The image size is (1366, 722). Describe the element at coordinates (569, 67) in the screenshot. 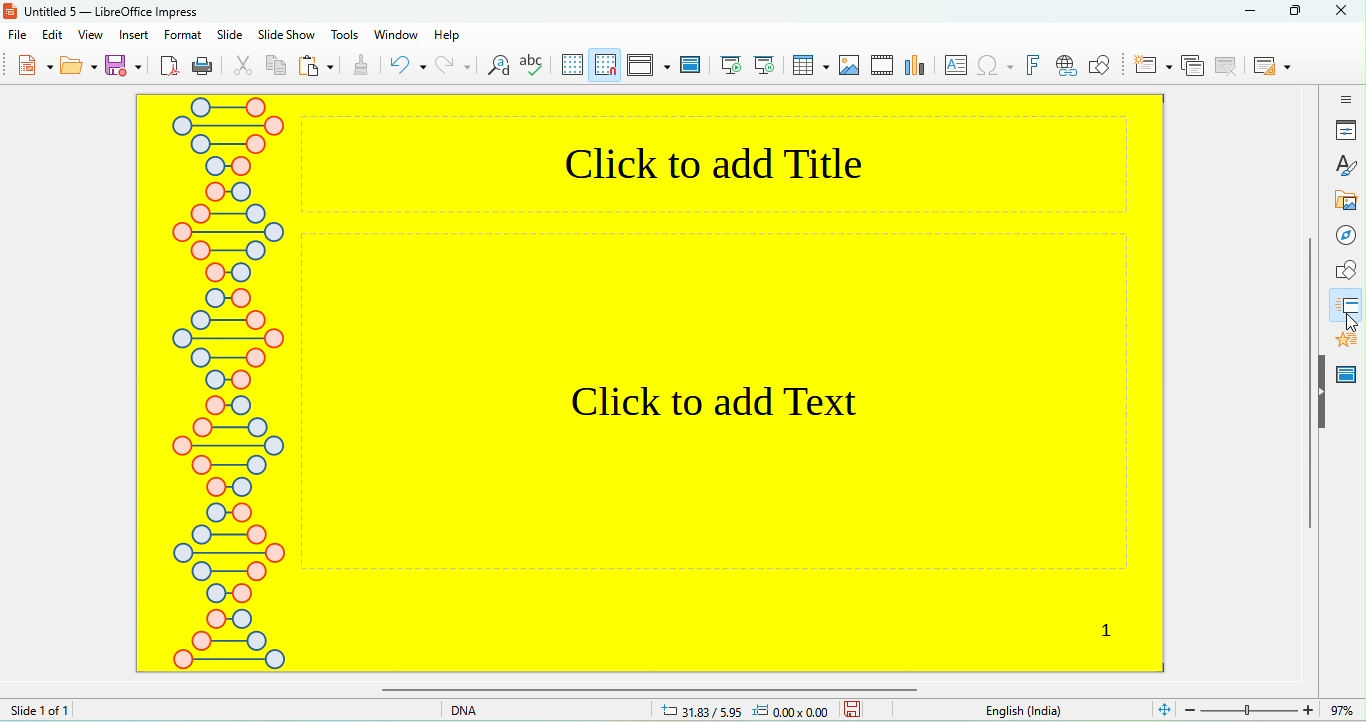

I see `display grid` at that location.